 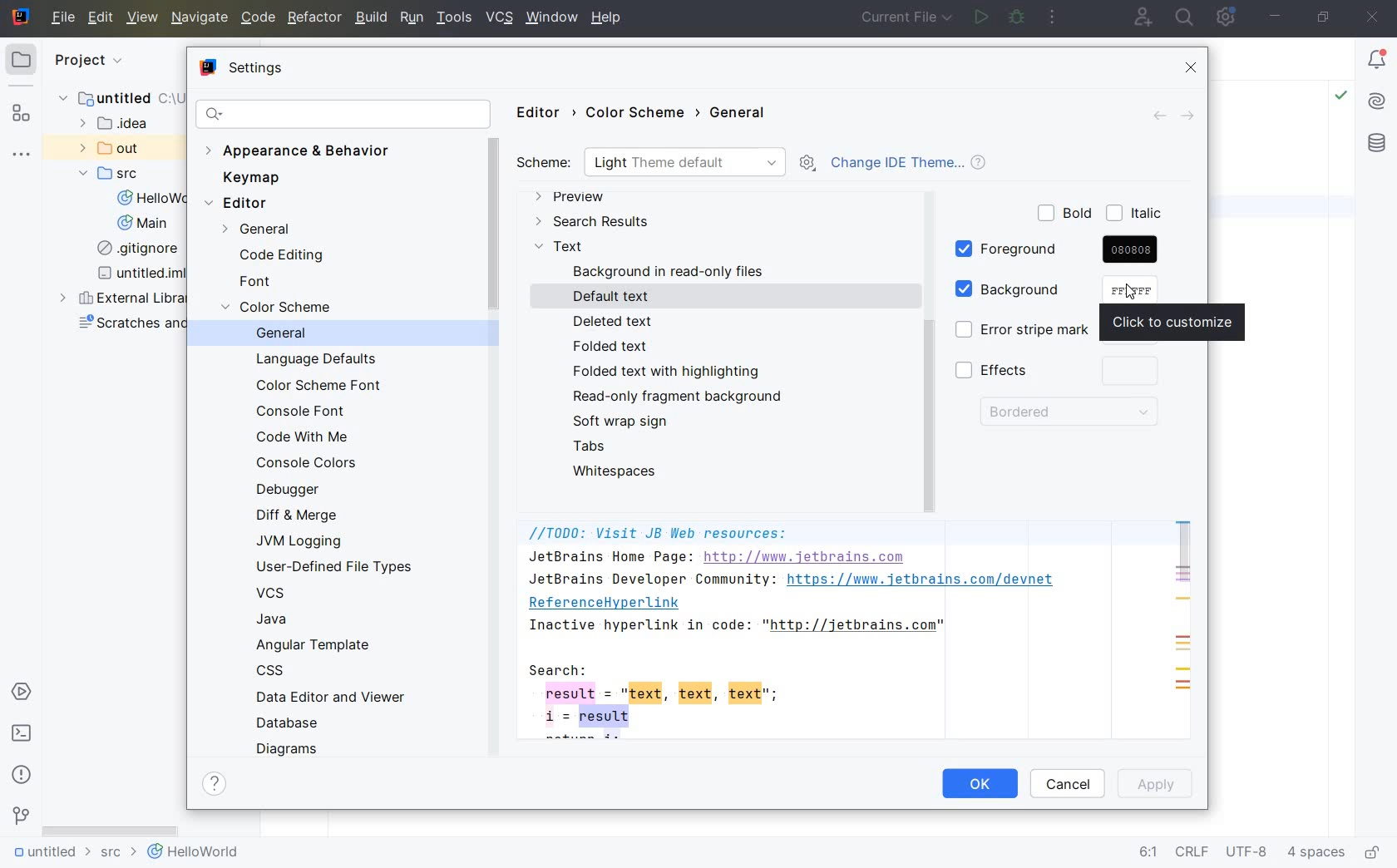 What do you see at coordinates (149, 200) in the screenshot?
I see `HelloWorld` at bounding box center [149, 200].